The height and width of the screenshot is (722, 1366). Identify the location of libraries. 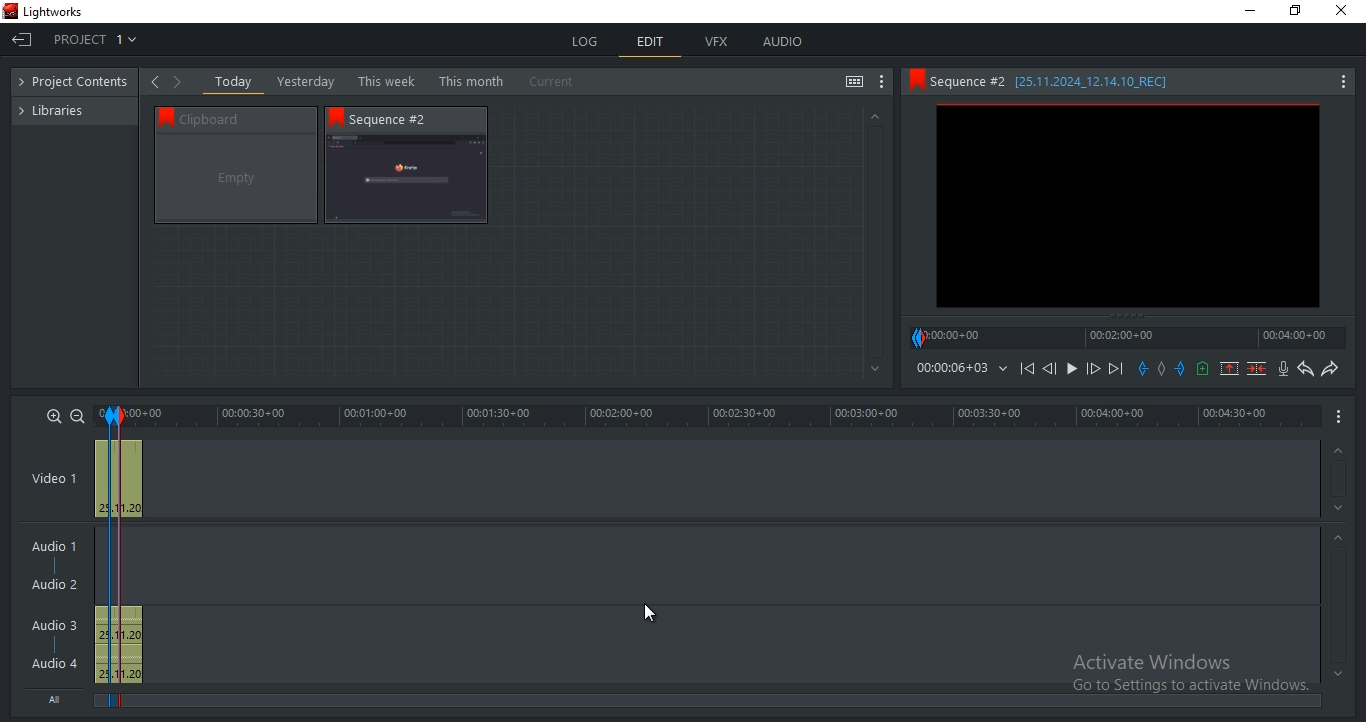
(61, 109).